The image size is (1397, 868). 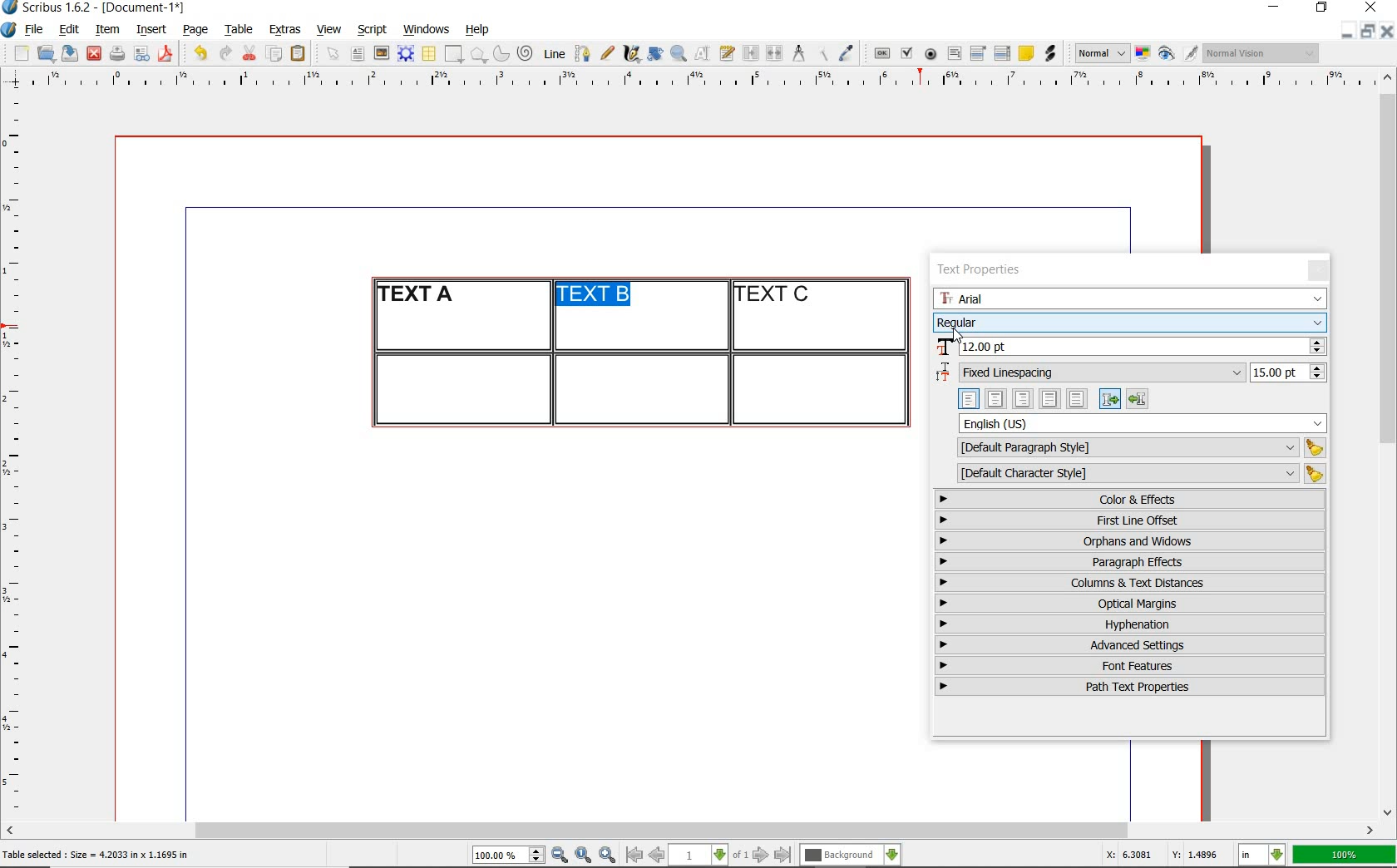 I want to click on text annotation, so click(x=1025, y=54).